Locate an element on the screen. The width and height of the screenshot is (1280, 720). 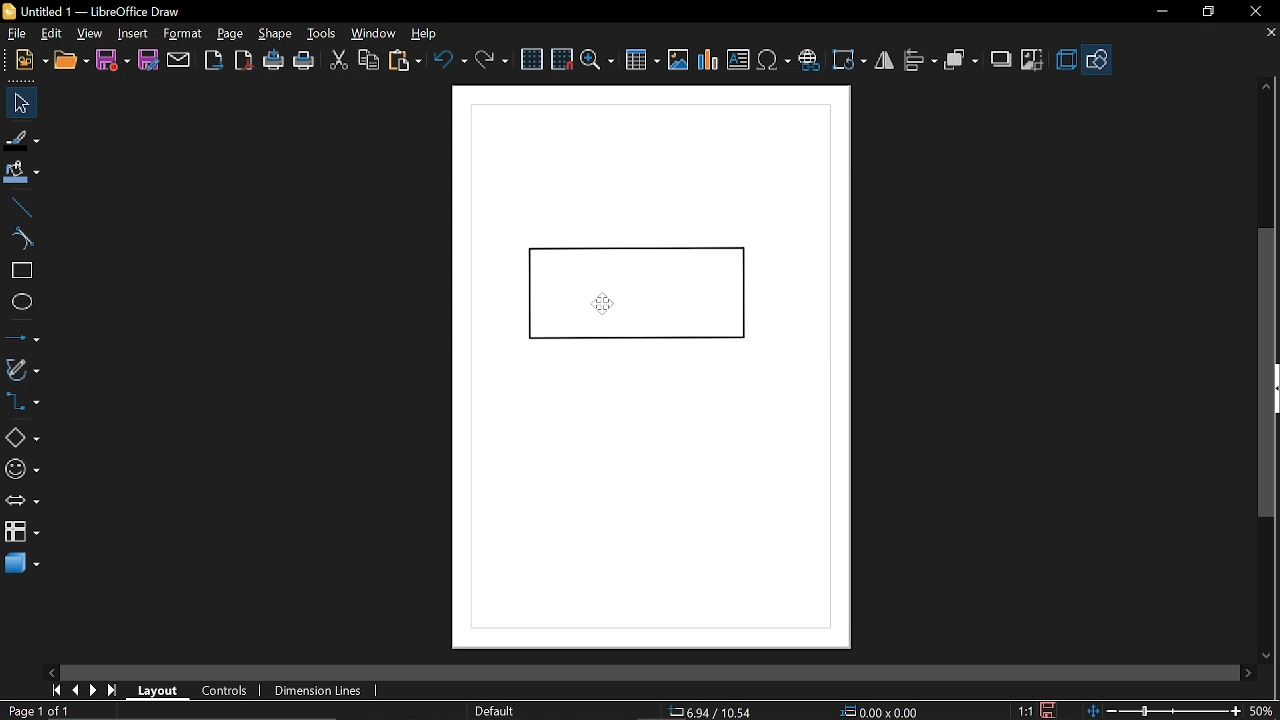
cursor is located at coordinates (603, 304).